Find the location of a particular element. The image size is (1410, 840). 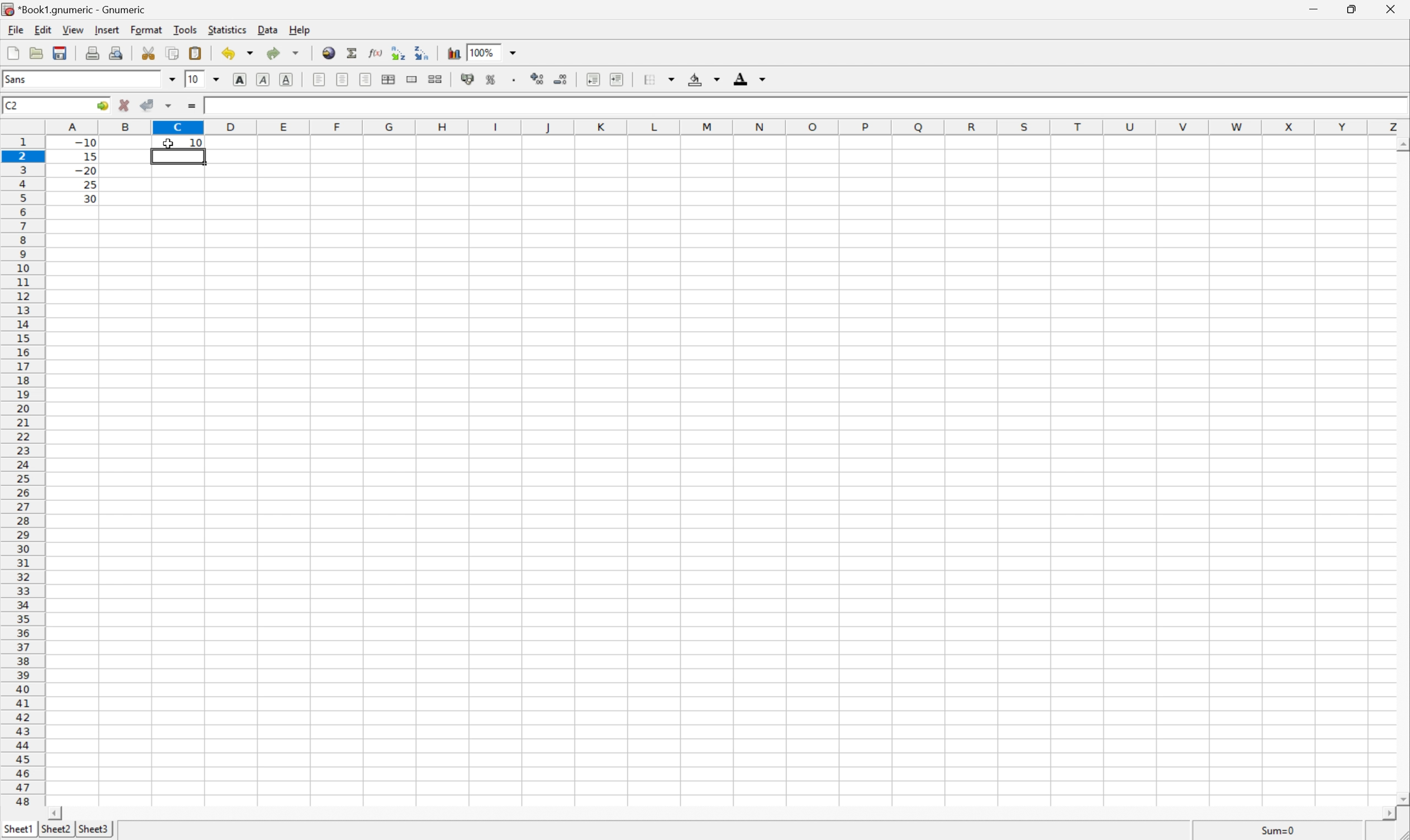

Align left is located at coordinates (318, 78).